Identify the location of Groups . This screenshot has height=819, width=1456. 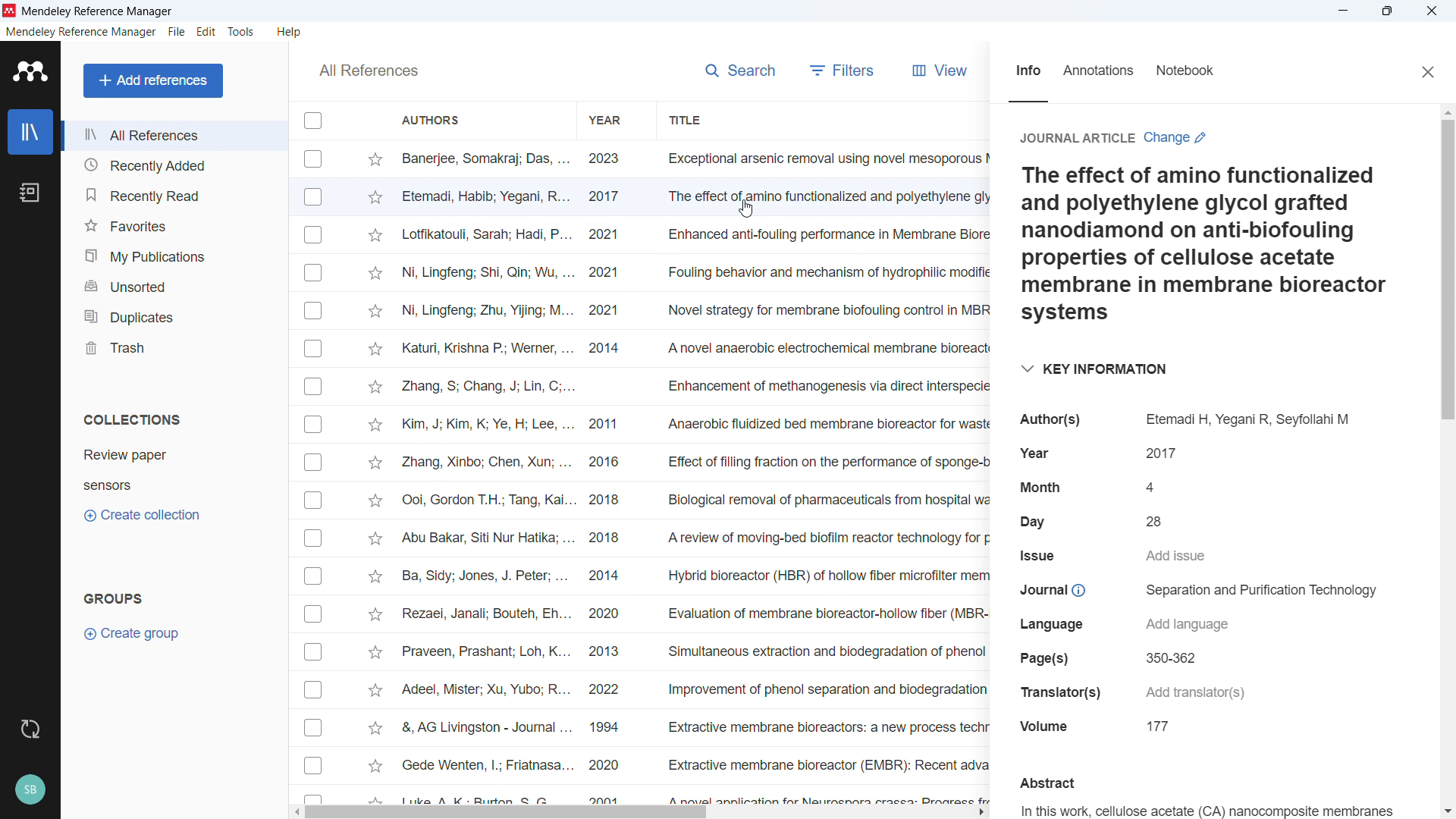
(113, 600).